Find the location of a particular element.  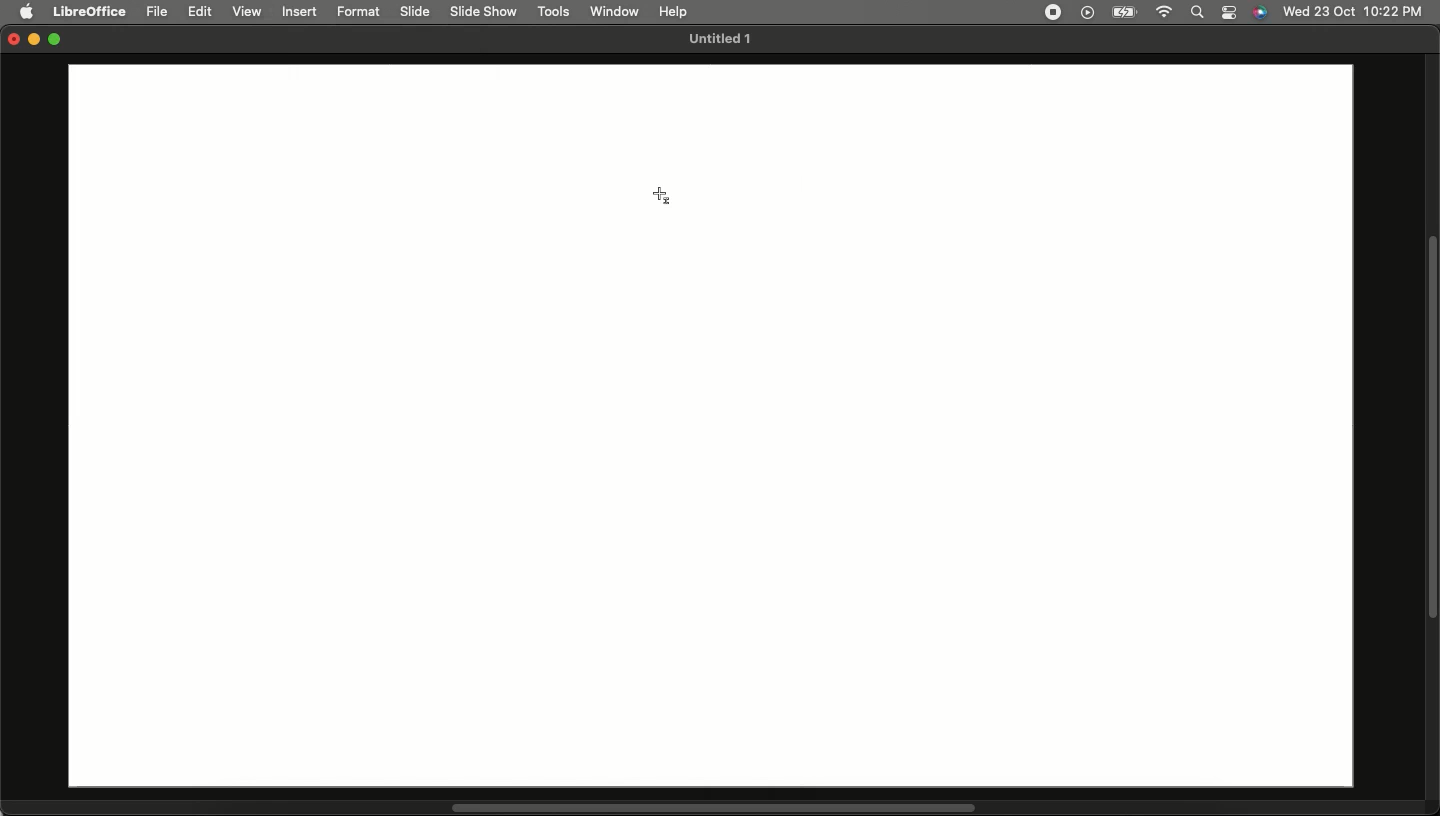

Slide show is located at coordinates (483, 11).